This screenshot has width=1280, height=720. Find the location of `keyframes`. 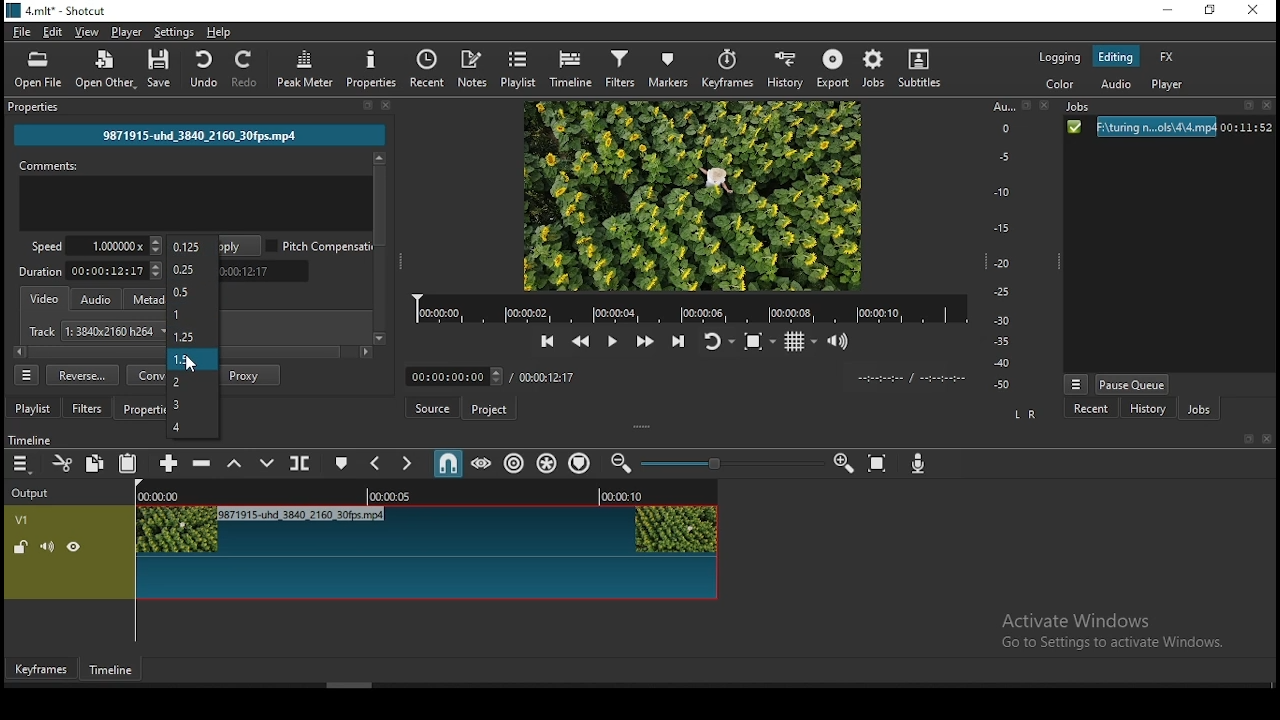

keyframes is located at coordinates (42, 671).